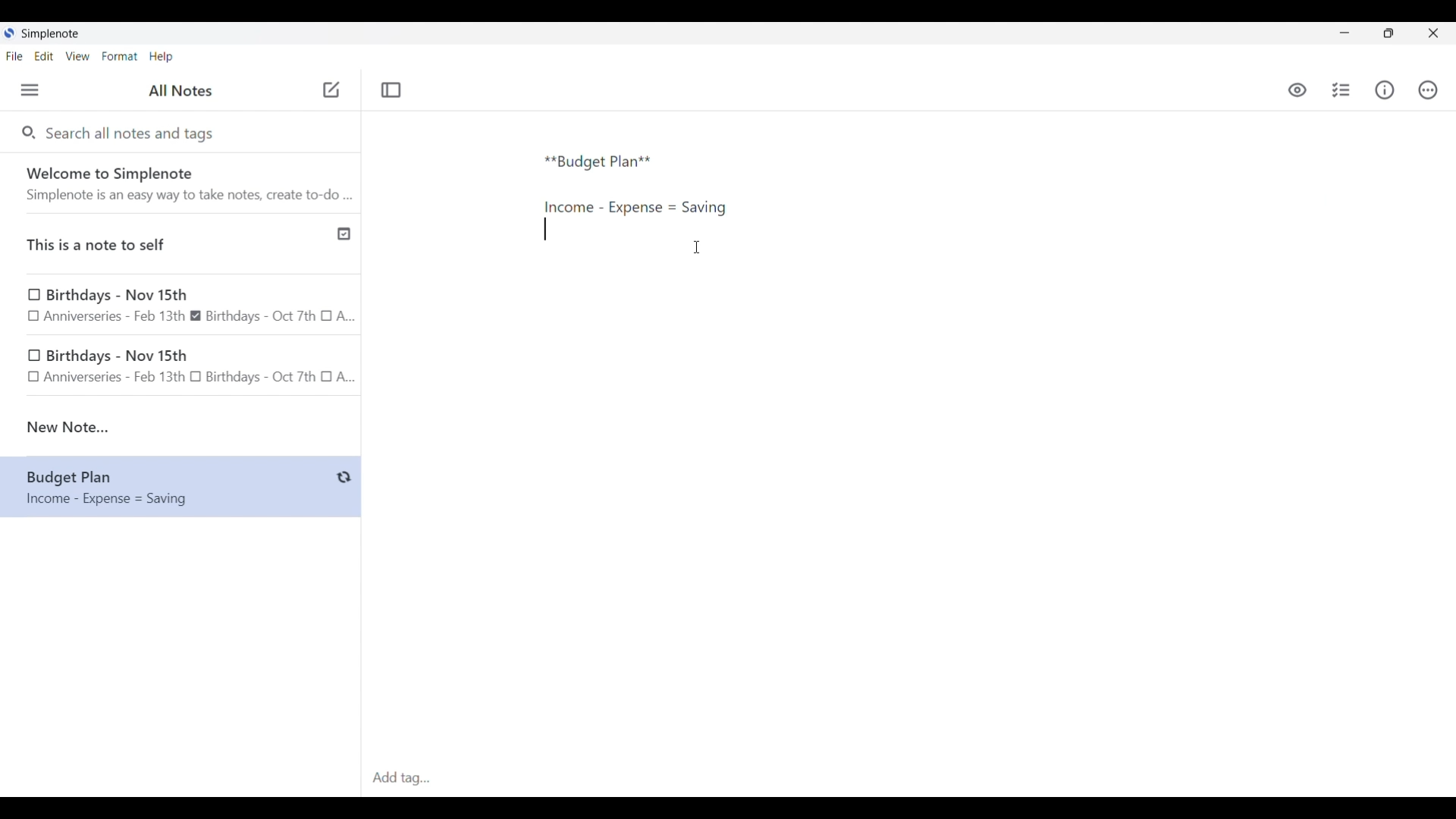 This screenshot has width=1456, height=819. What do you see at coordinates (391, 90) in the screenshot?
I see `Toggle focus mode` at bounding box center [391, 90].